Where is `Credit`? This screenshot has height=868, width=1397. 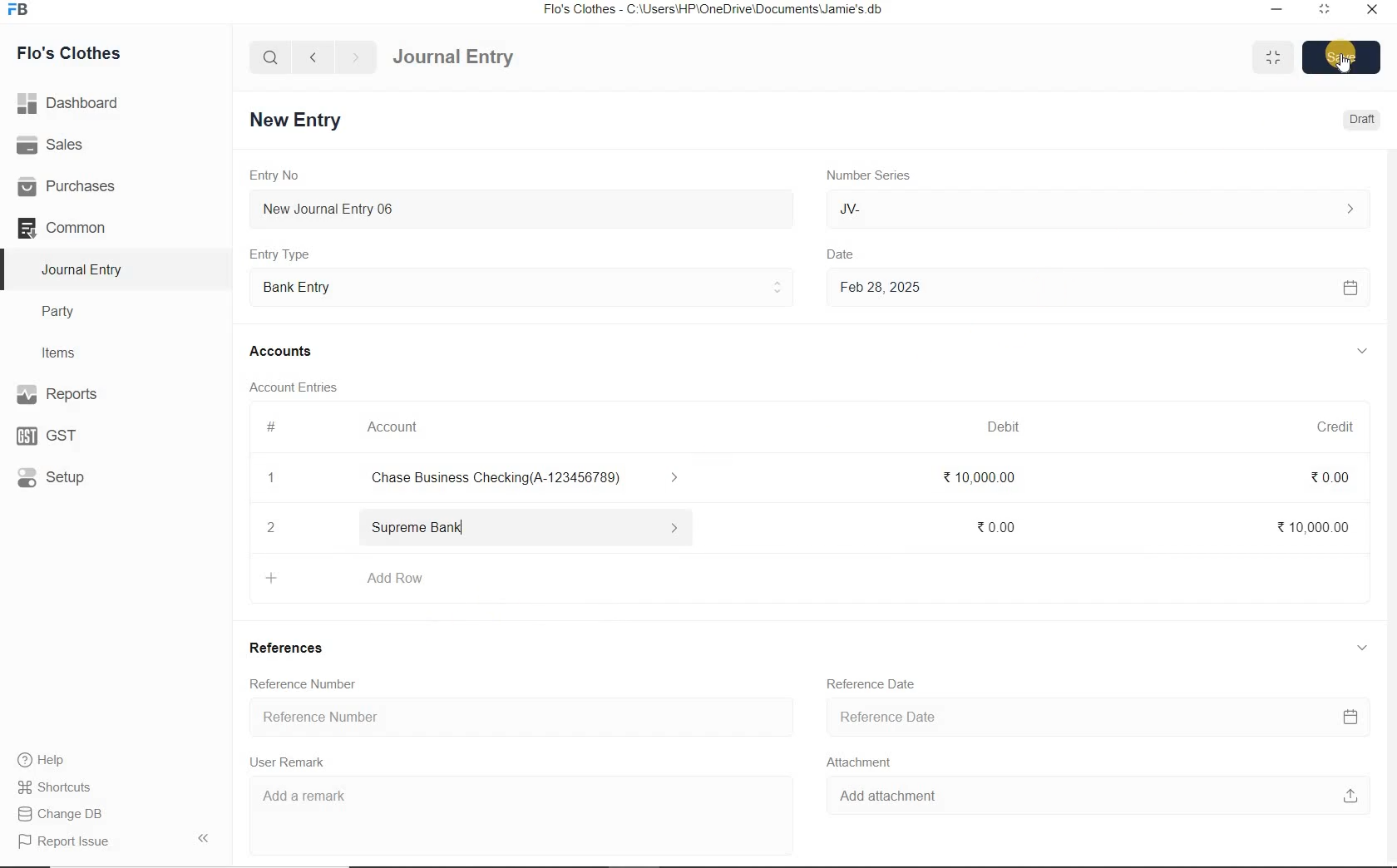 Credit is located at coordinates (1325, 424).